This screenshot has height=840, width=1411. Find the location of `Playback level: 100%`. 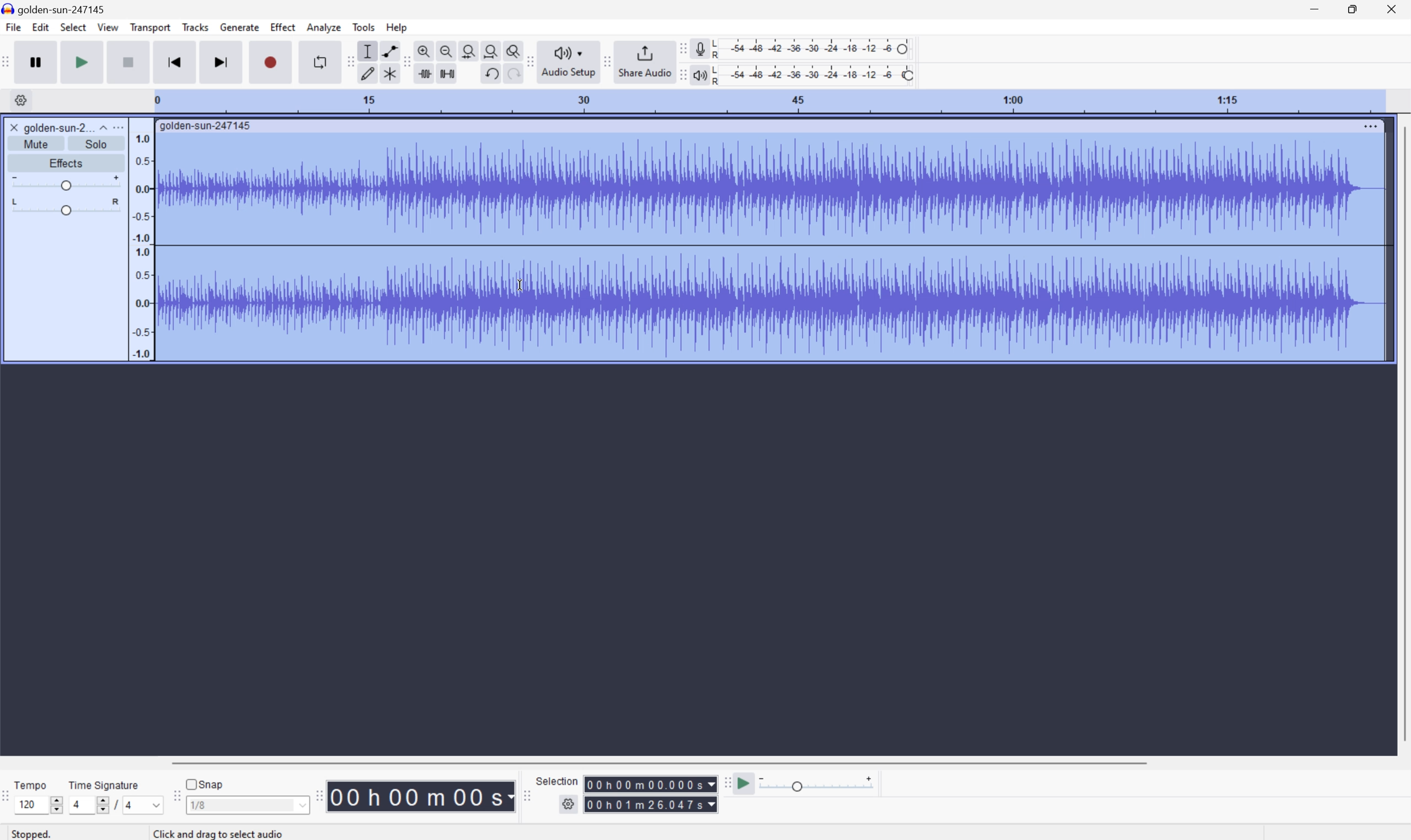

Playback level: 100% is located at coordinates (812, 74).